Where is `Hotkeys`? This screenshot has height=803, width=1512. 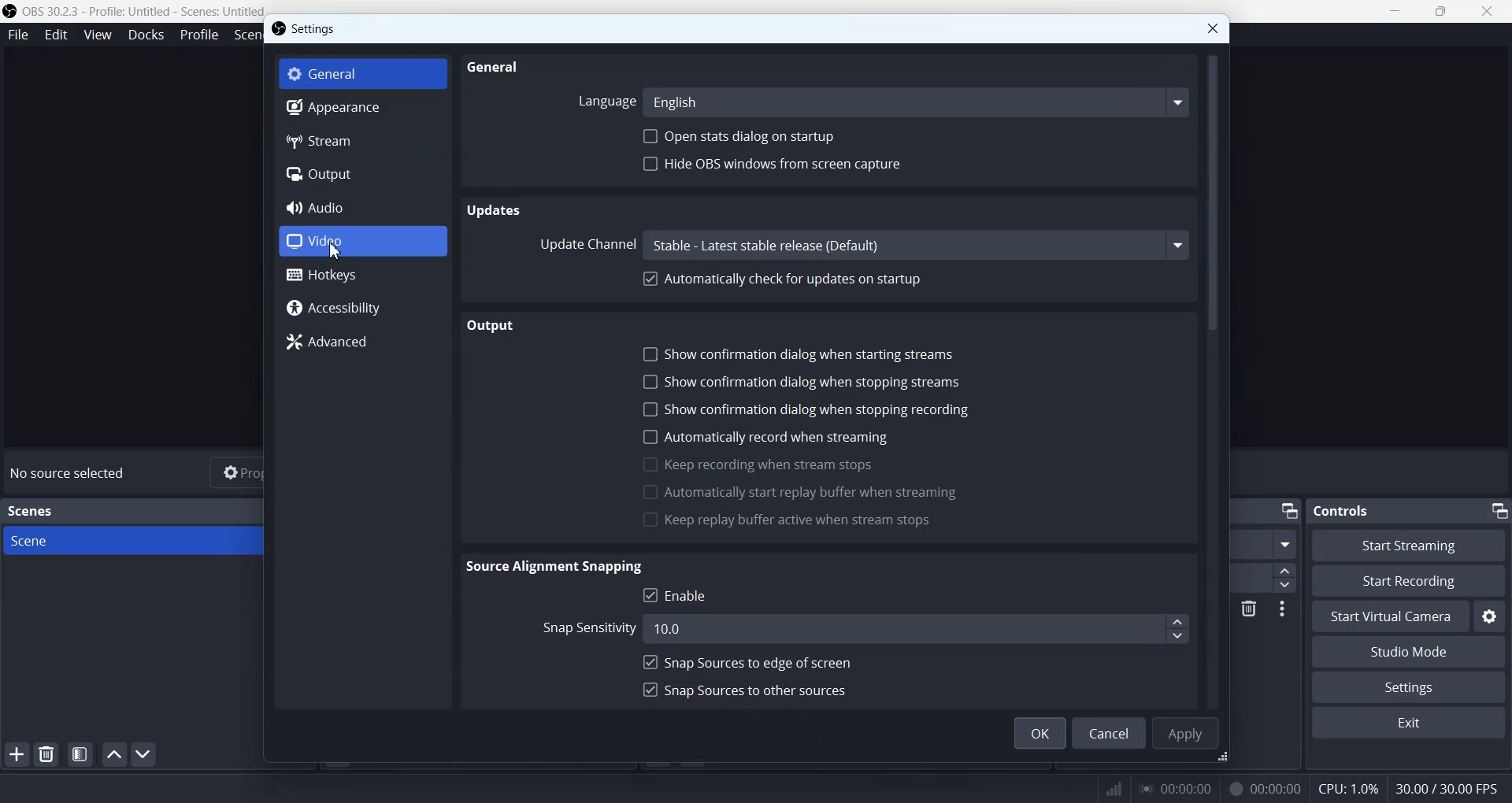
Hotkeys is located at coordinates (363, 276).